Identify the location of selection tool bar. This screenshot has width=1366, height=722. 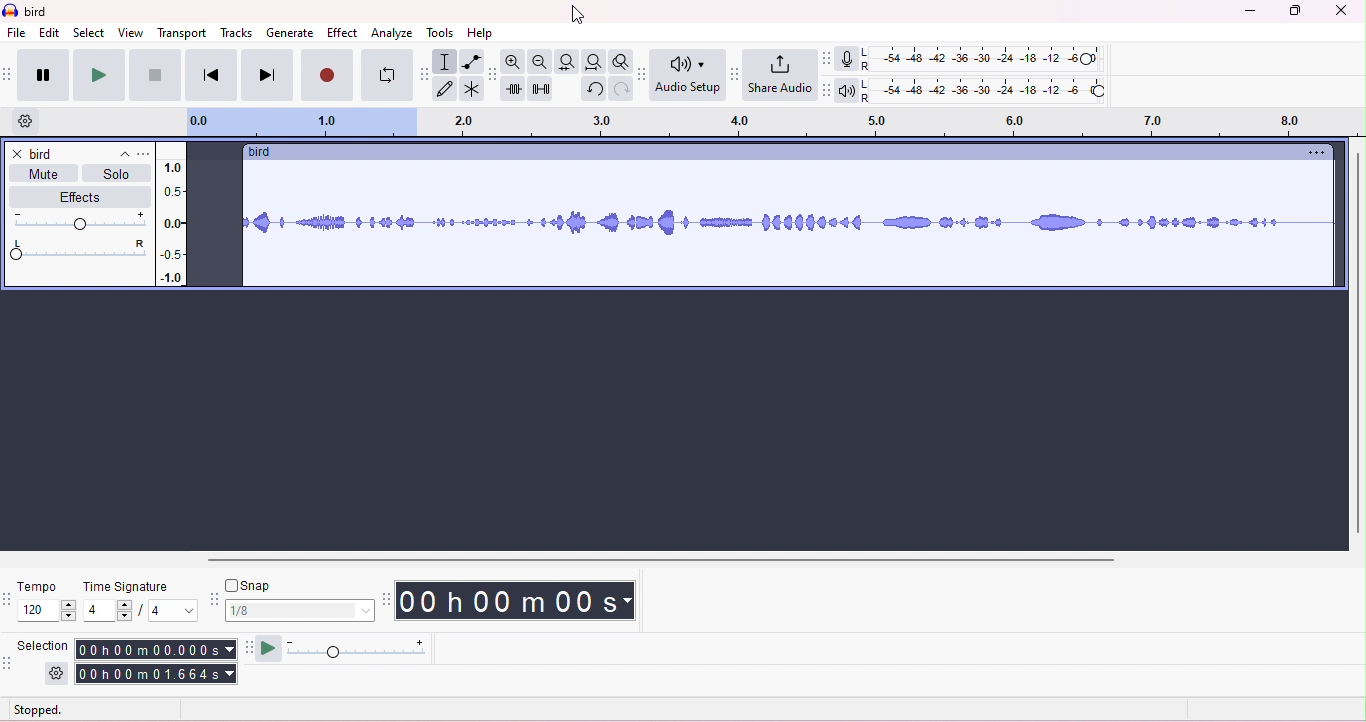
(10, 665).